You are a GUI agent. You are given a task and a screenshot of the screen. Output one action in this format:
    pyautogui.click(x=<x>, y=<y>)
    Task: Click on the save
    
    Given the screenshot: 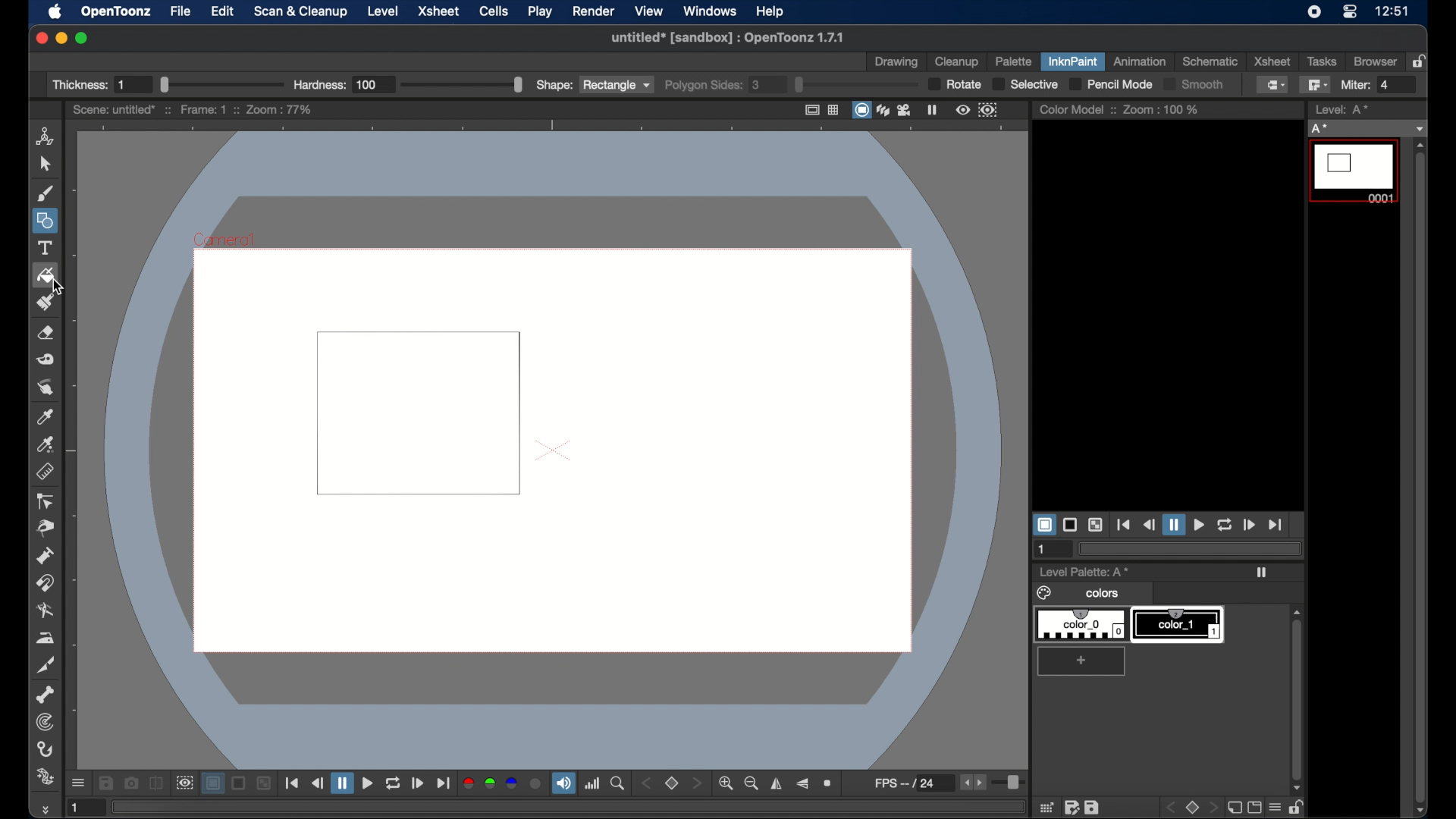 What is the action you would take?
    pyautogui.click(x=1092, y=807)
    